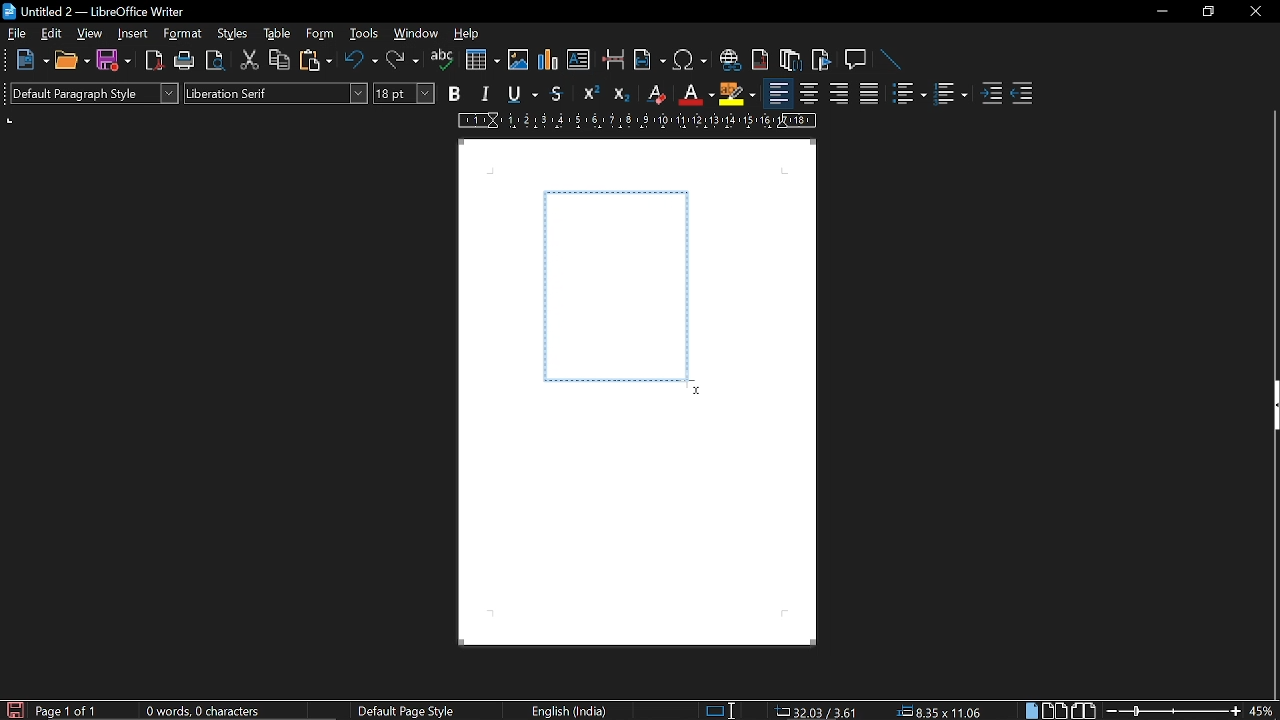 The height and width of the screenshot is (720, 1280). Describe the element at coordinates (276, 92) in the screenshot. I see `text style` at that location.